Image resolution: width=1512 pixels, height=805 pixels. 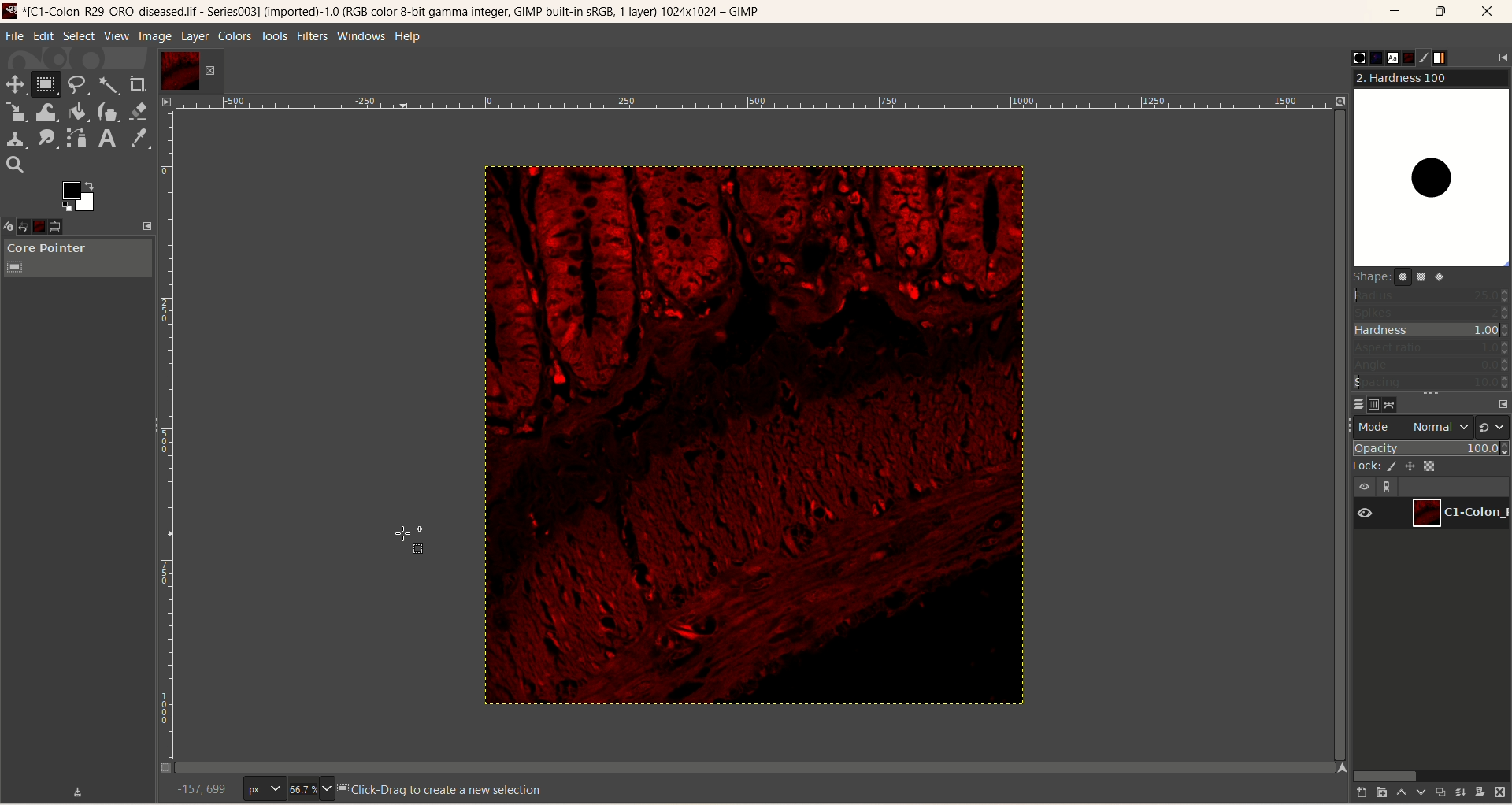 What do you see at coordinates (1432, 383) in the screenshot?
I see `spacing` at bounding box center [1432, 383].